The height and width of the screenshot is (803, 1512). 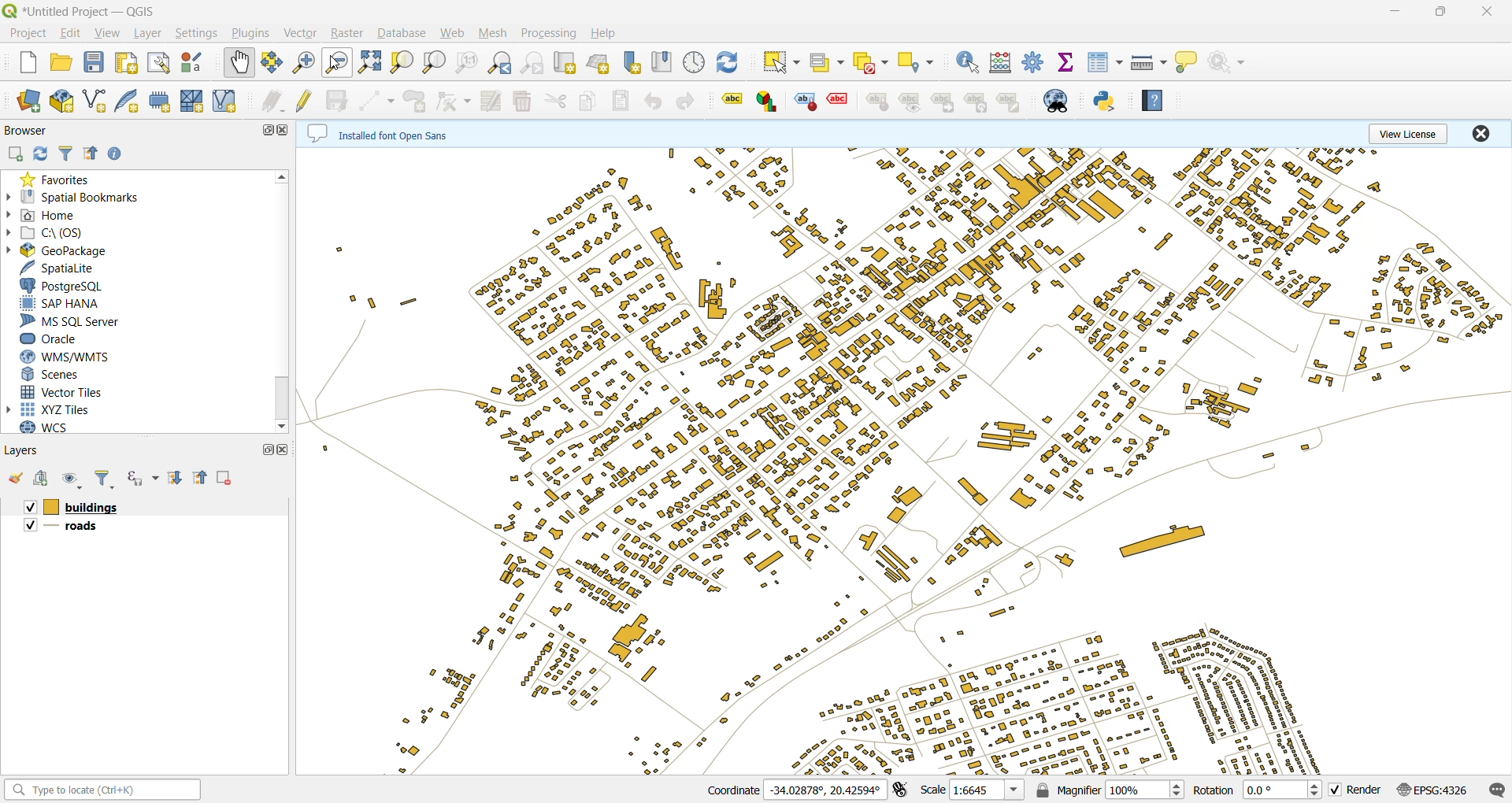 What do you see at coordinates (53, 234) in the screenshot?
I see `c\:os` at bounding box center [53, 234].